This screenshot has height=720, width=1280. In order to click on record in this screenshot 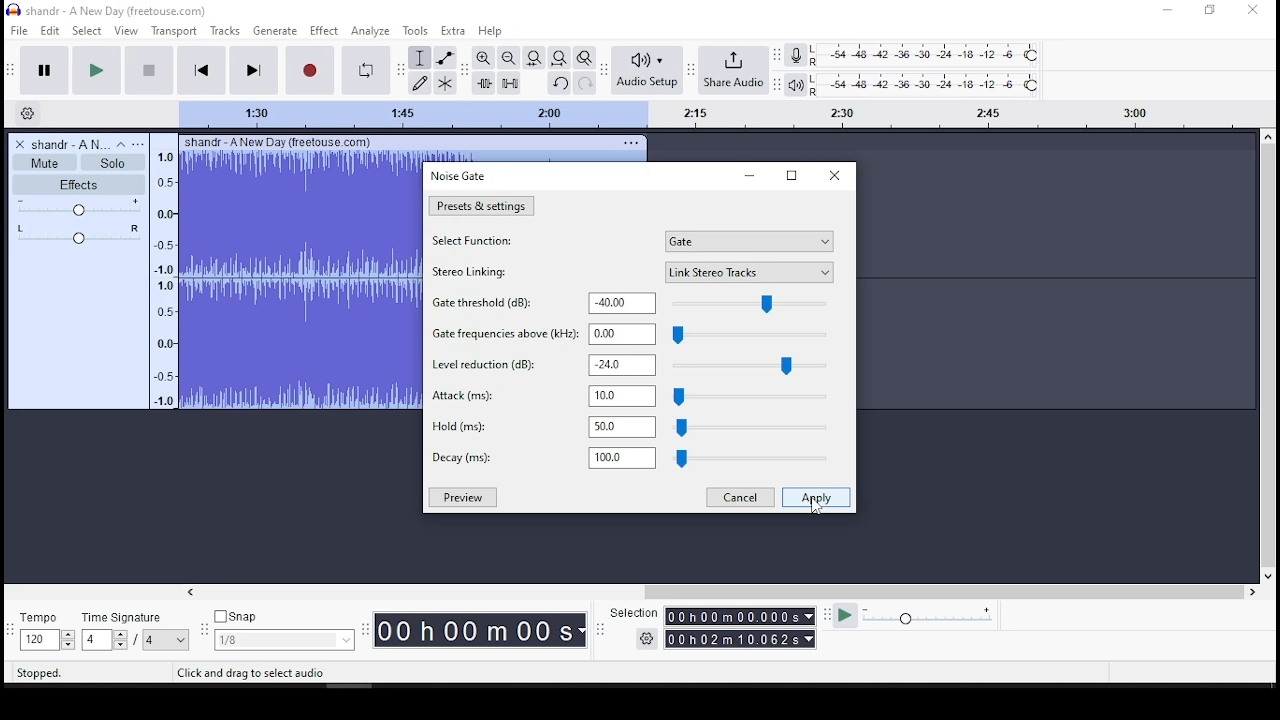, I will do `click(310, 71)`.